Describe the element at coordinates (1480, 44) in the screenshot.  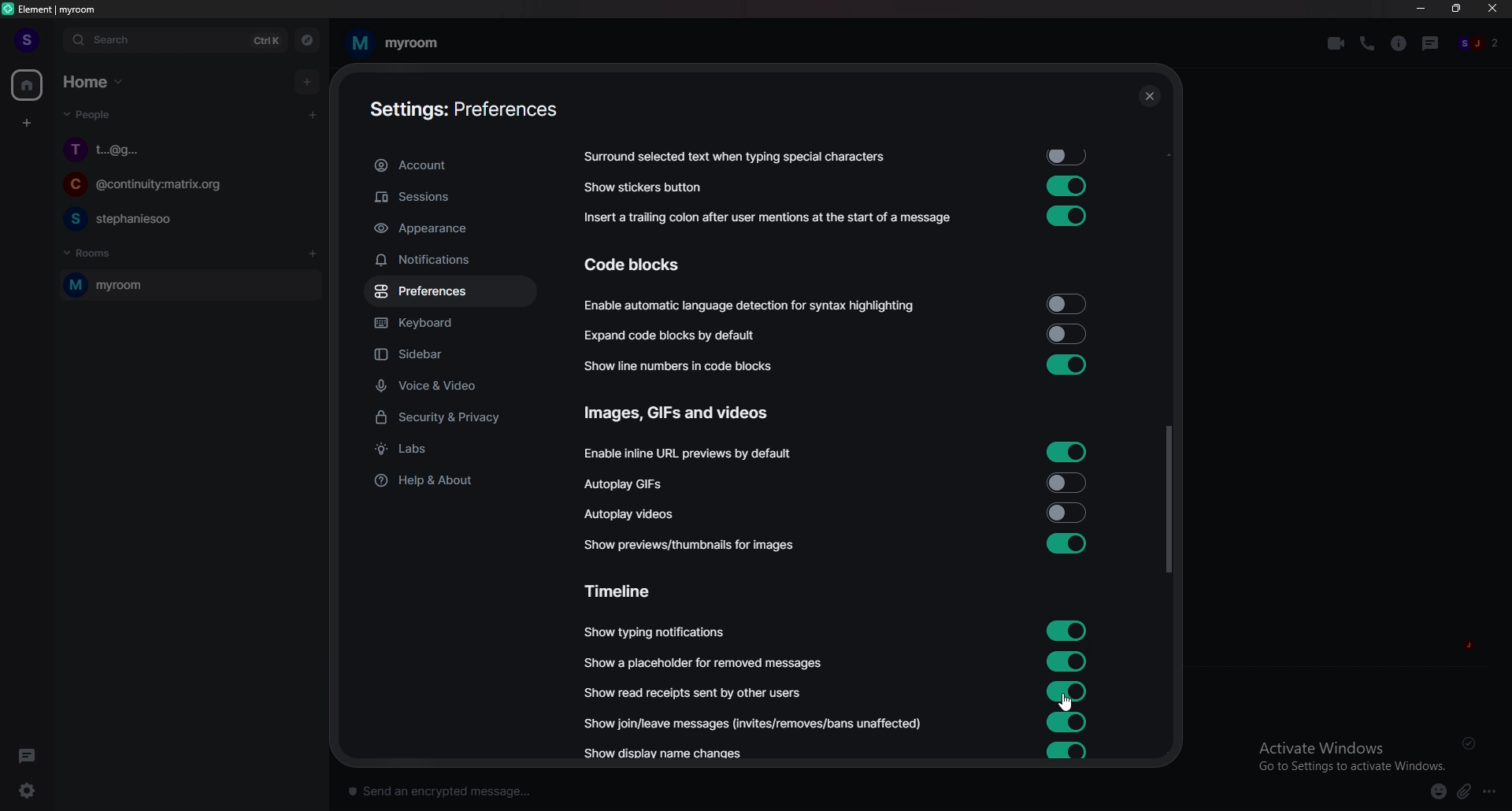
I see `people` at that location.